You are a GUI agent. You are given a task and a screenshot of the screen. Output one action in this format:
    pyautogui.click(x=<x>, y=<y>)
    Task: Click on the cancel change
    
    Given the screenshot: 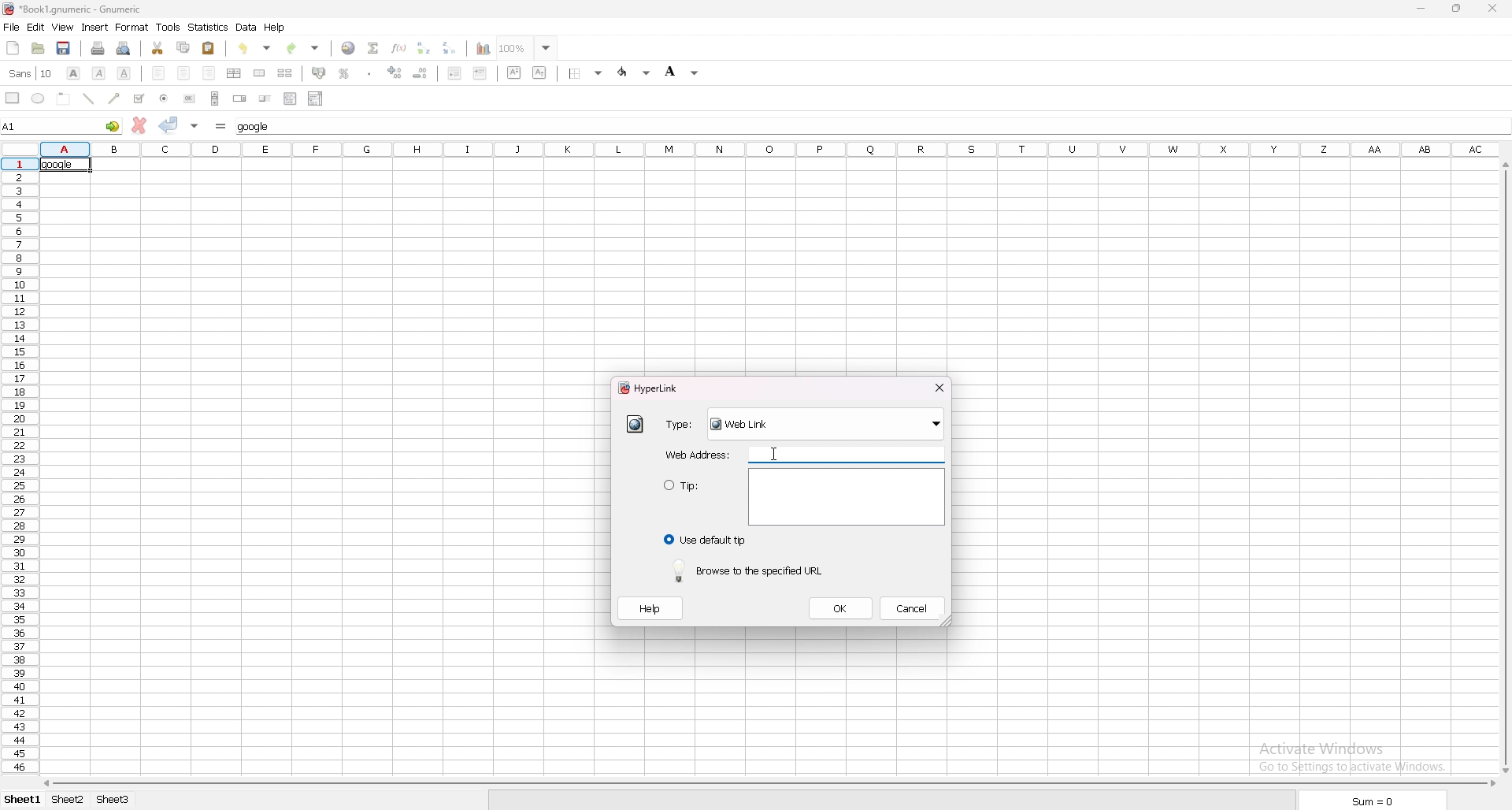 What is the action you would take?
    pyautogui.click(x=139, y=125)
    